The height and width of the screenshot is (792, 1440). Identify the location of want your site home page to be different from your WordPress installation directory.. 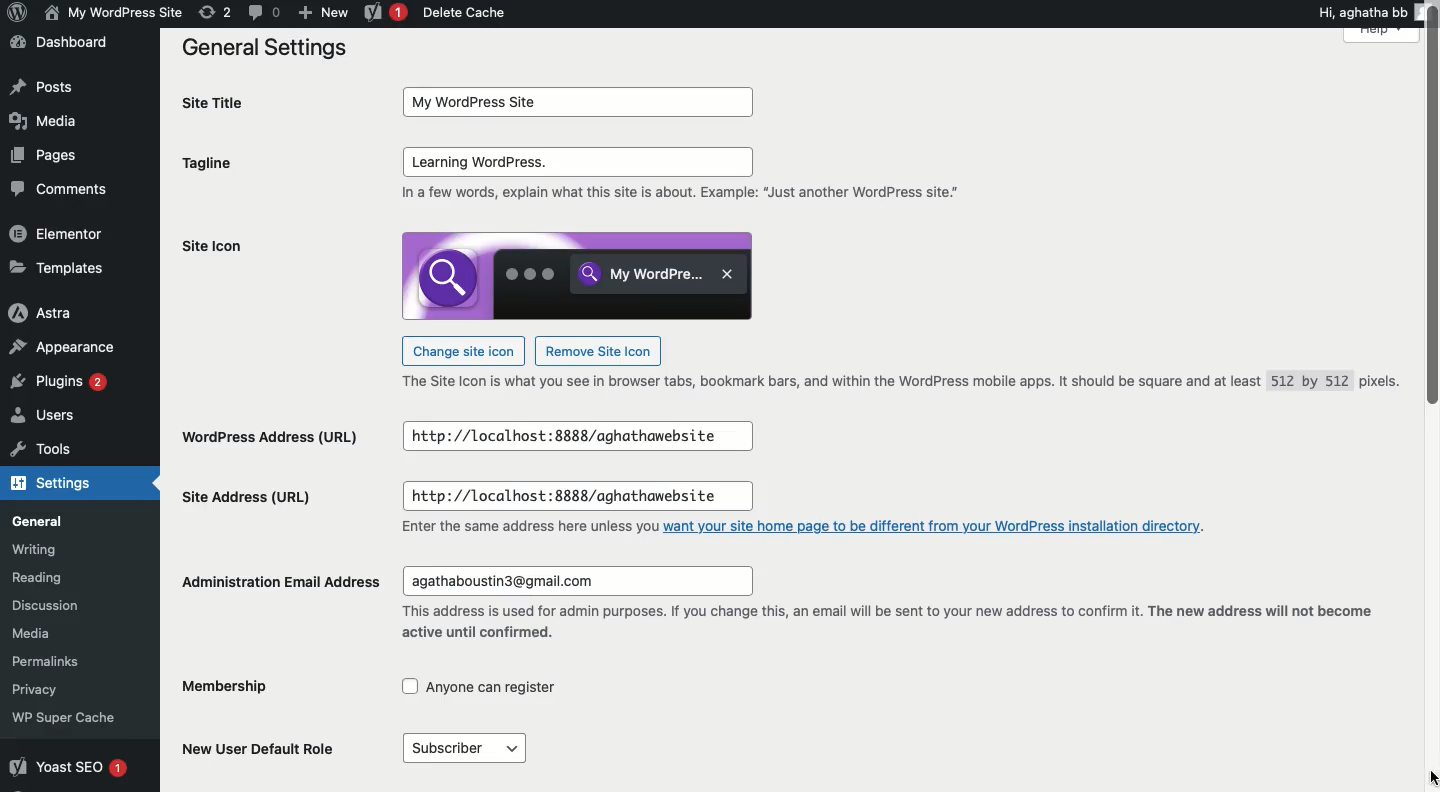
(942, 528).